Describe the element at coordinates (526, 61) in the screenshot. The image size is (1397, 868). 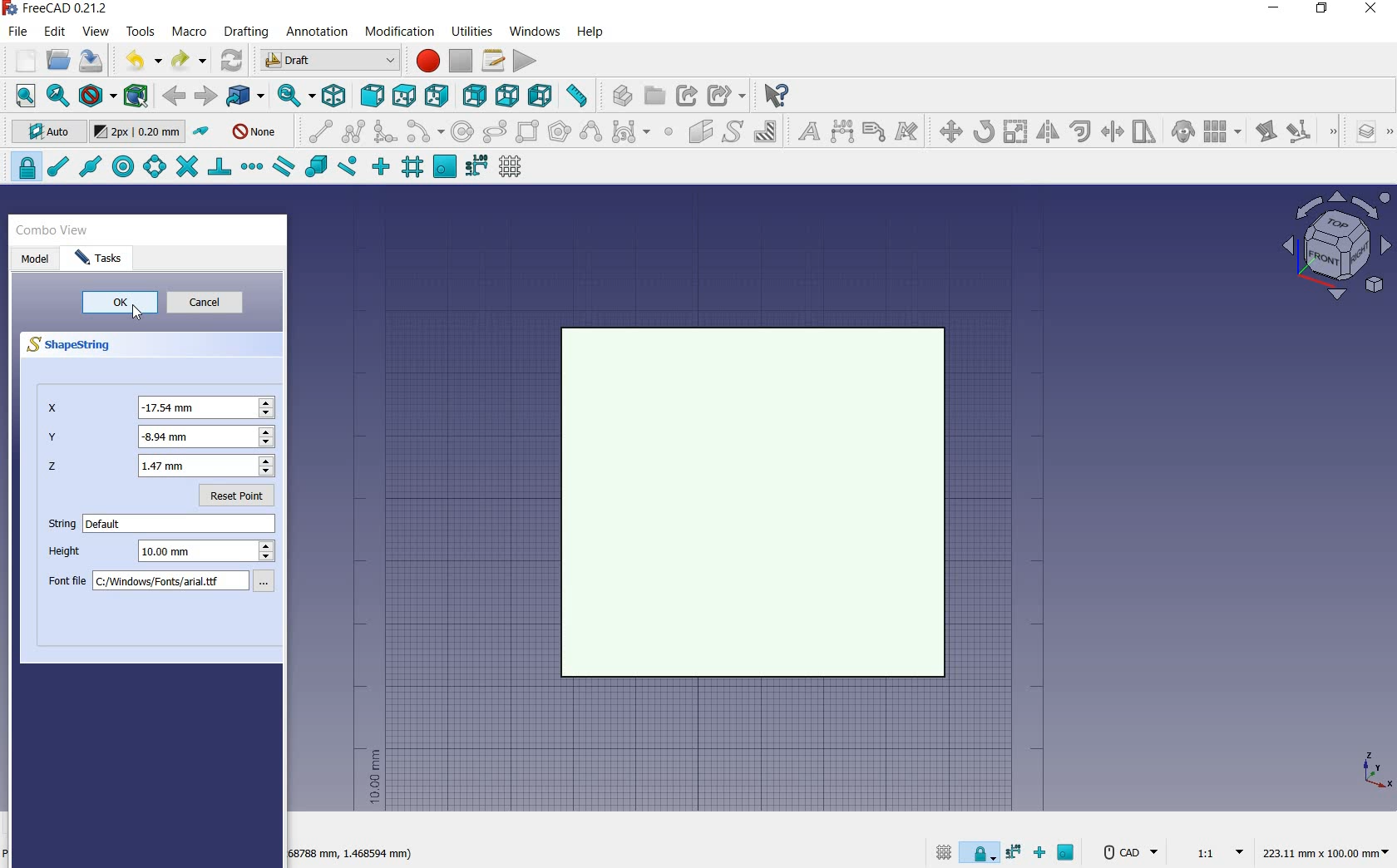
I see `execute macro` at that location.